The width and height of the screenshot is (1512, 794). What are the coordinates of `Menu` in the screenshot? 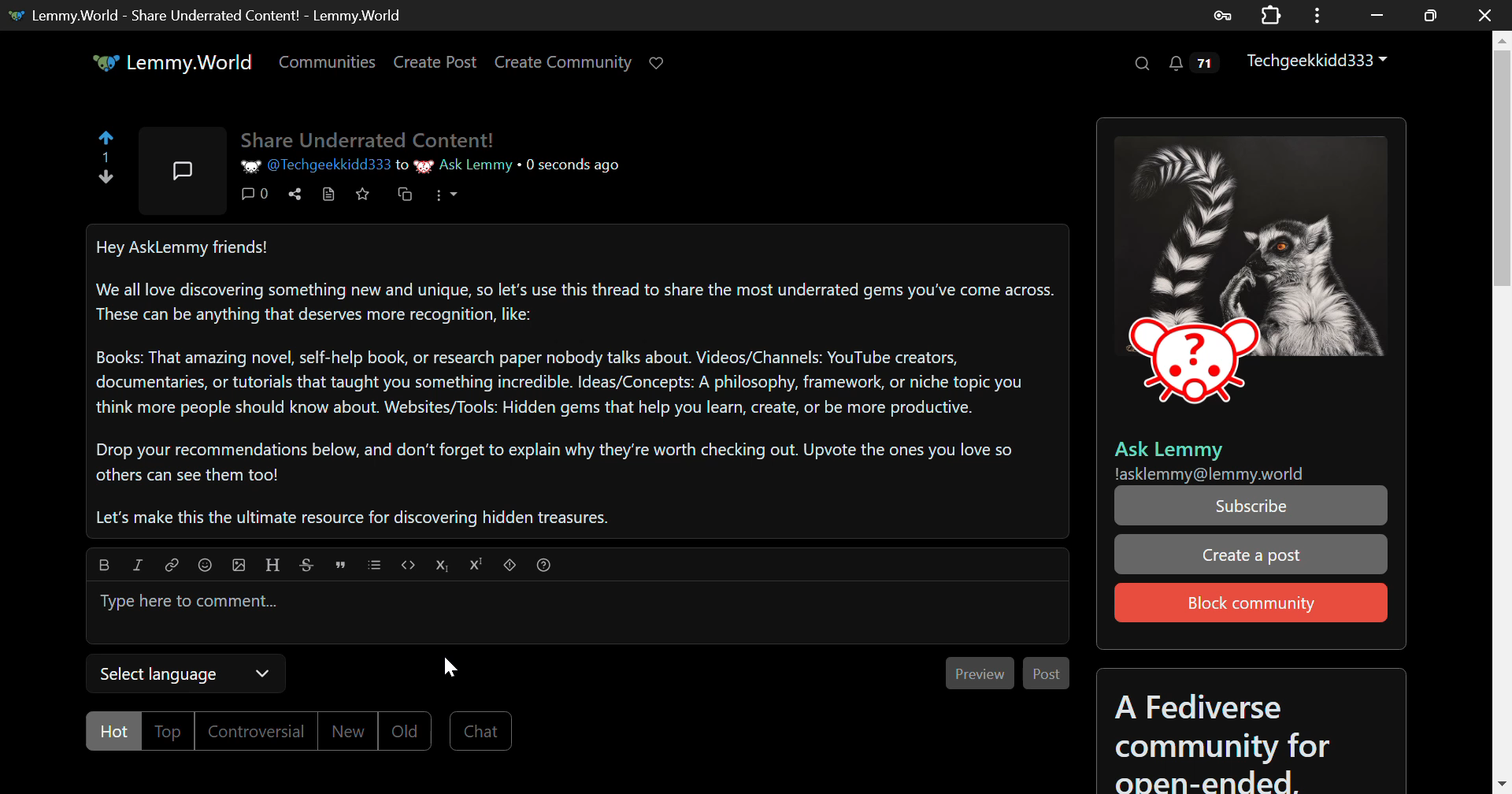 It's located at (1317, 15).